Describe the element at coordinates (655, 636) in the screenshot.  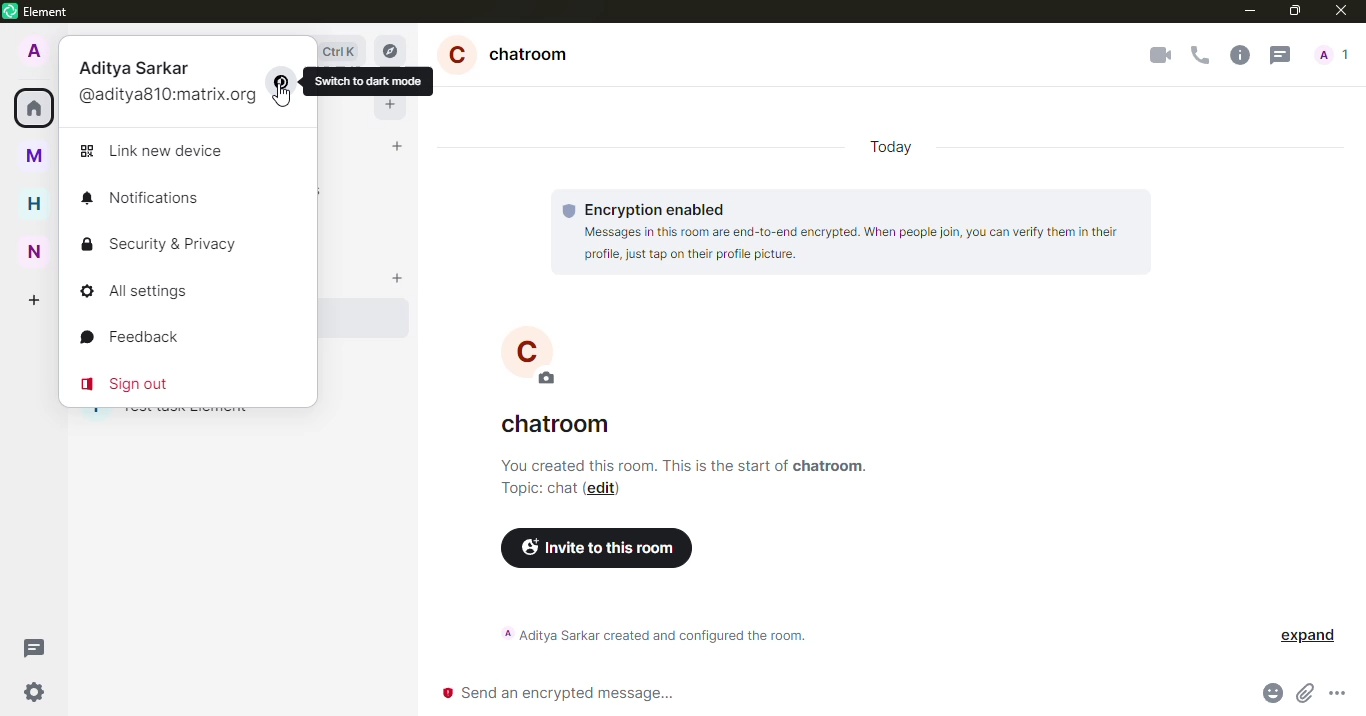
I see `aditya sarkar created and configured the room` at that location.